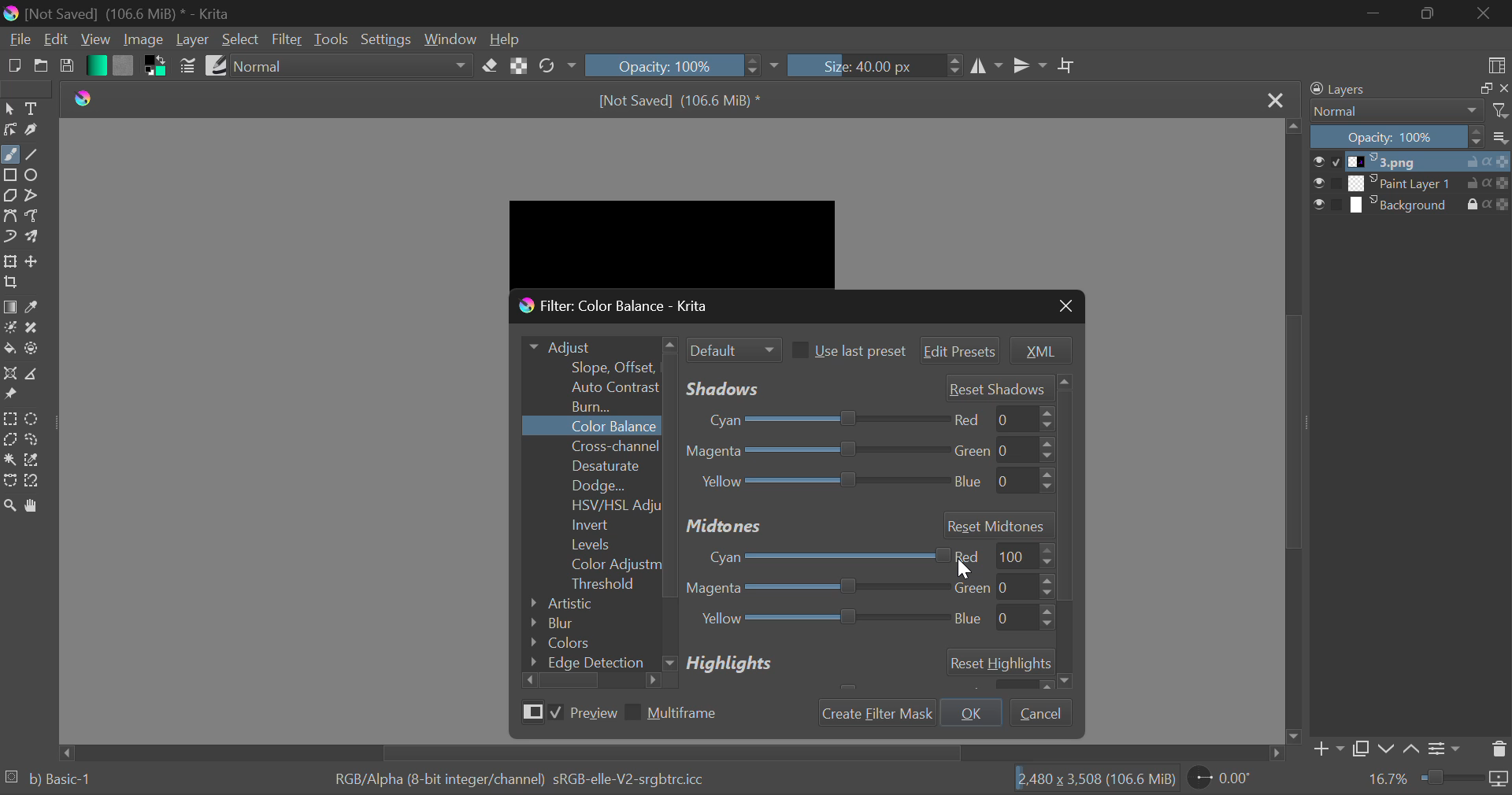 Image resolution: width=1512 pixels, height=795 pixels. Describe the element at coordinates (1411, 183) in the screenshot. I see `Paint Layer 1` at that location.